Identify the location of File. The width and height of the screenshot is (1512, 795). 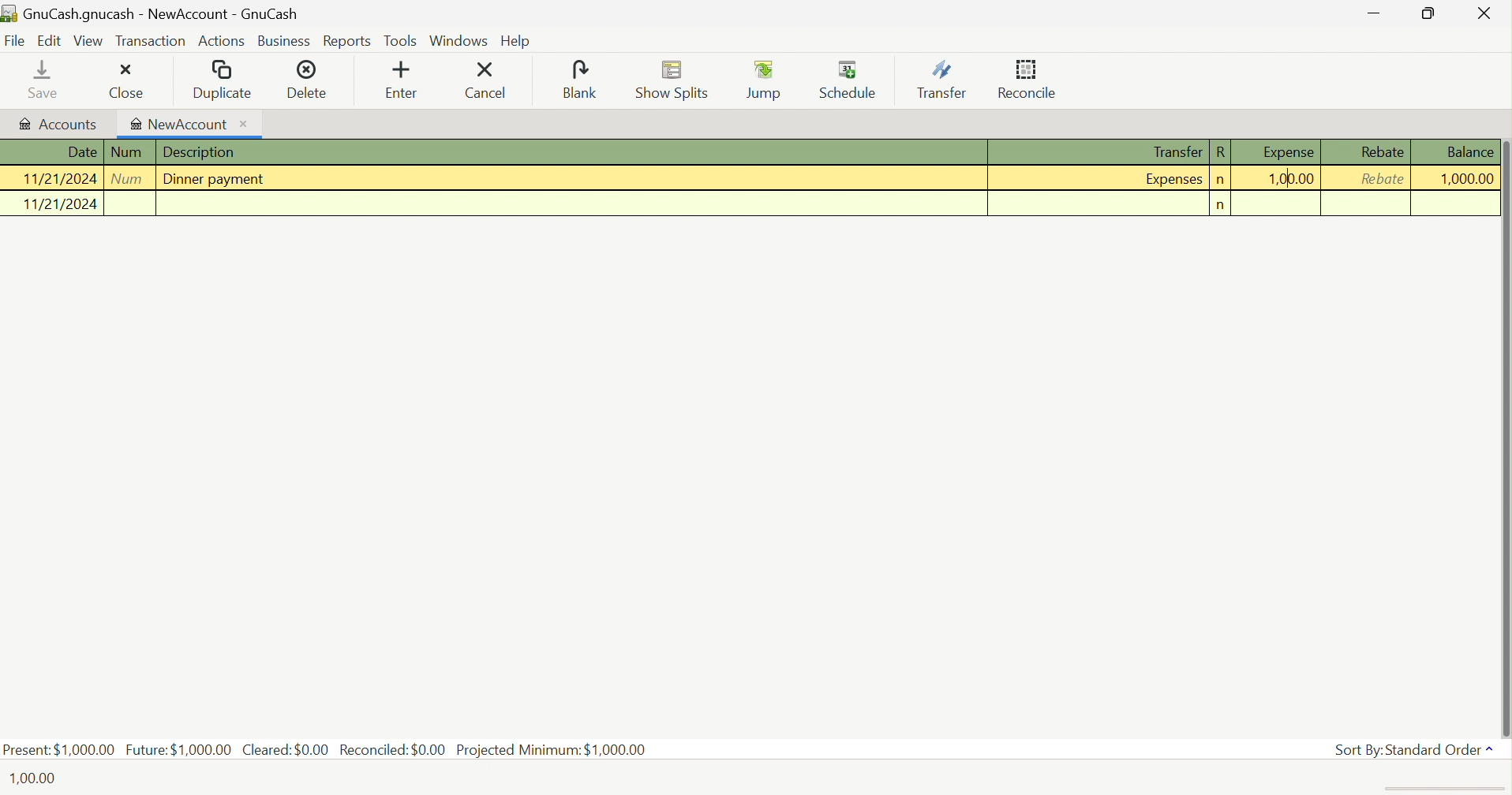
(15, 41).